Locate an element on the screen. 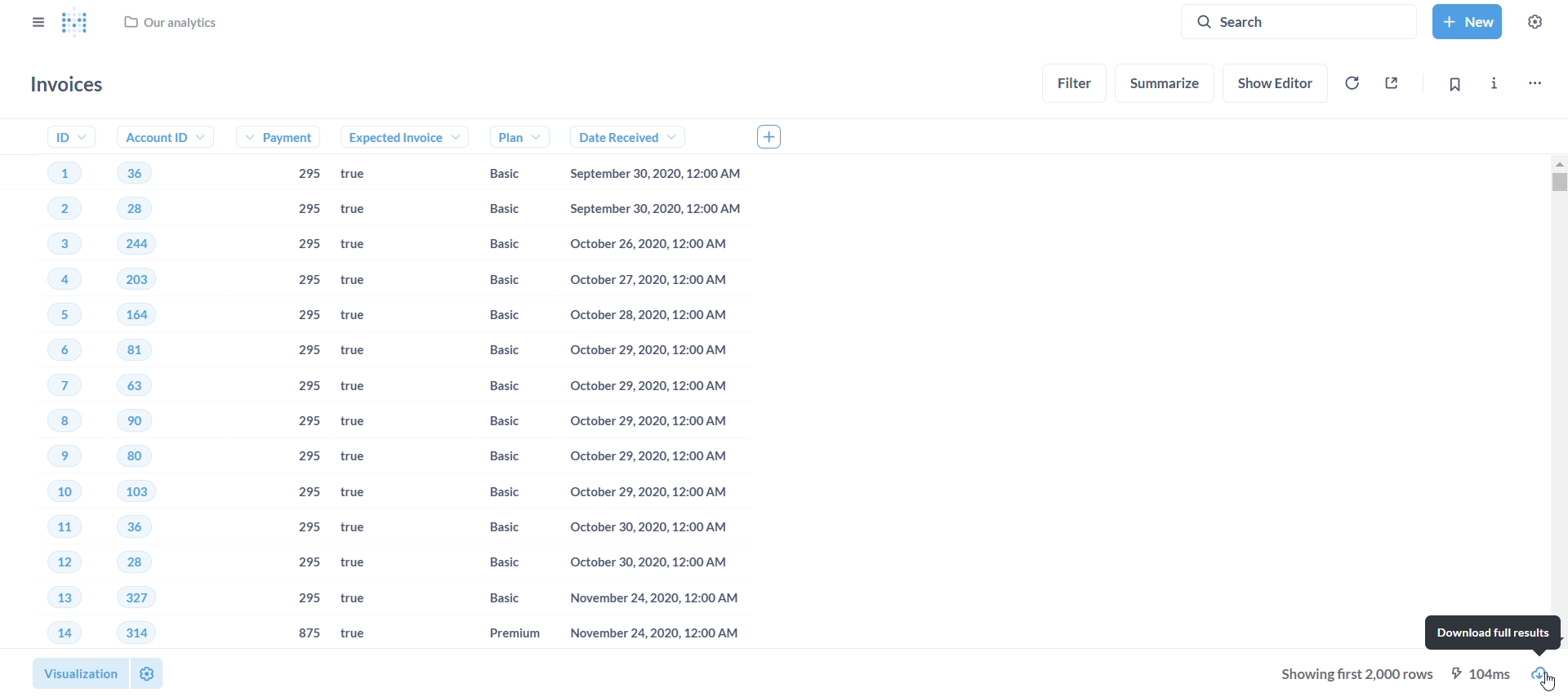  Basic is located at coordinates (492, 491).